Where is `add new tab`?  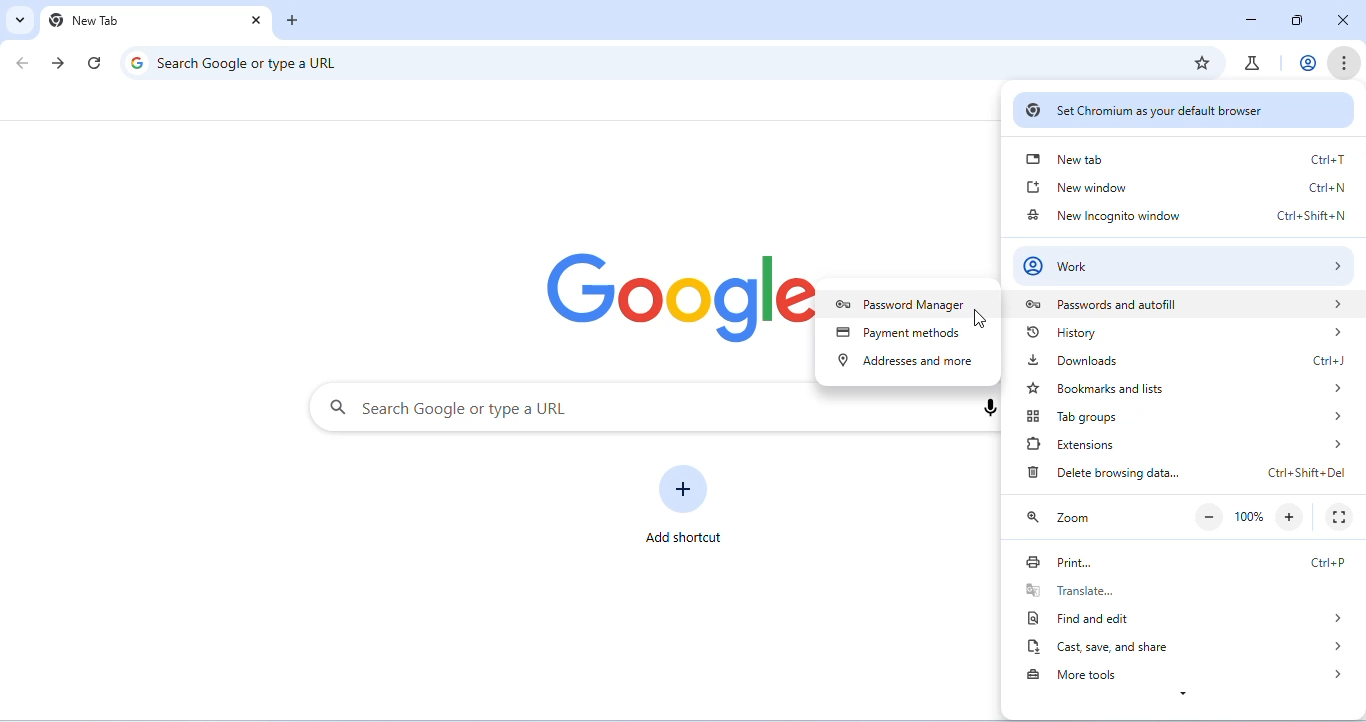
add new tab is located at coordinates (293, 20).